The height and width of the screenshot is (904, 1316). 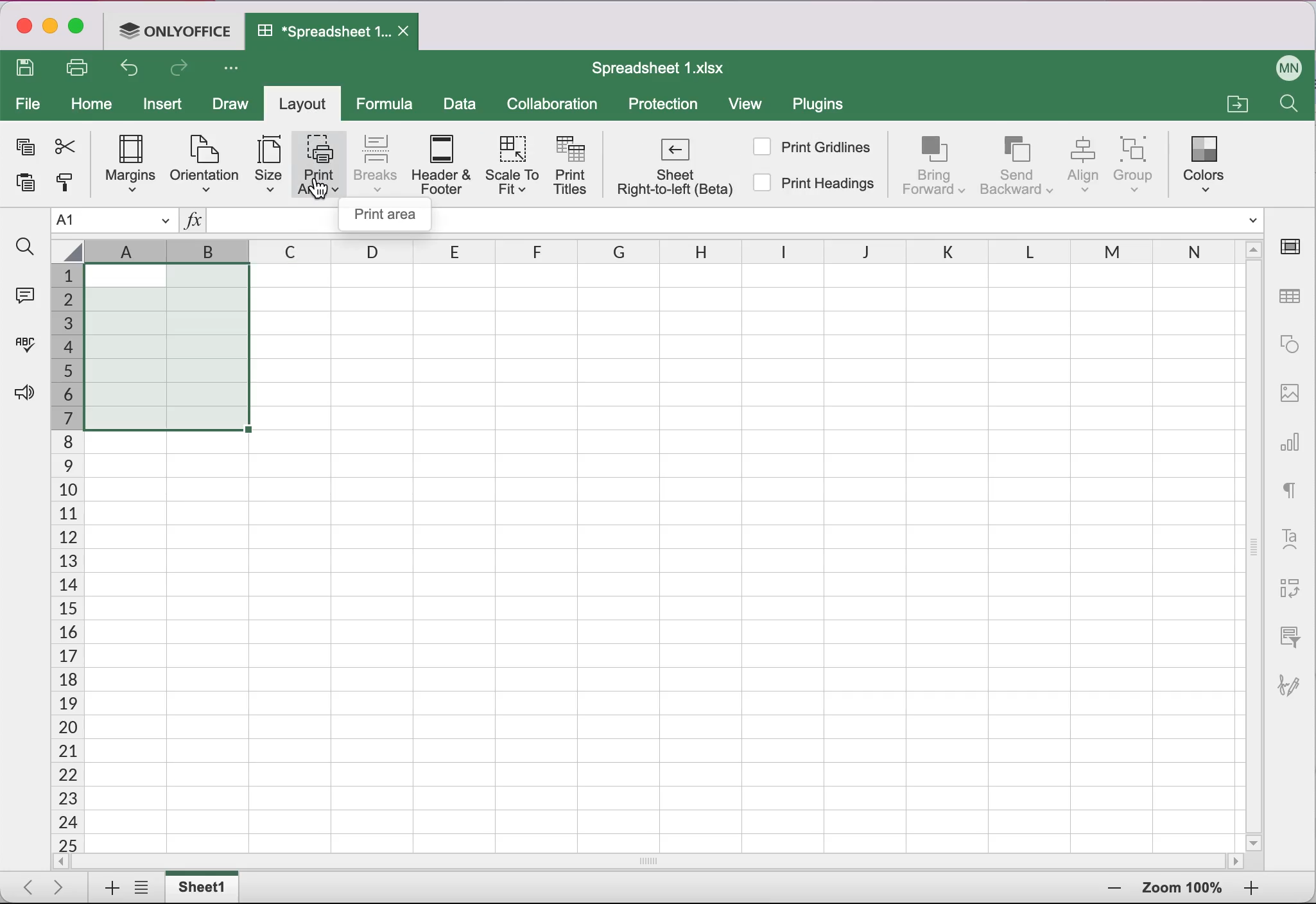 I want to click on customize quick access toolbar, so click(x=235, y=69).